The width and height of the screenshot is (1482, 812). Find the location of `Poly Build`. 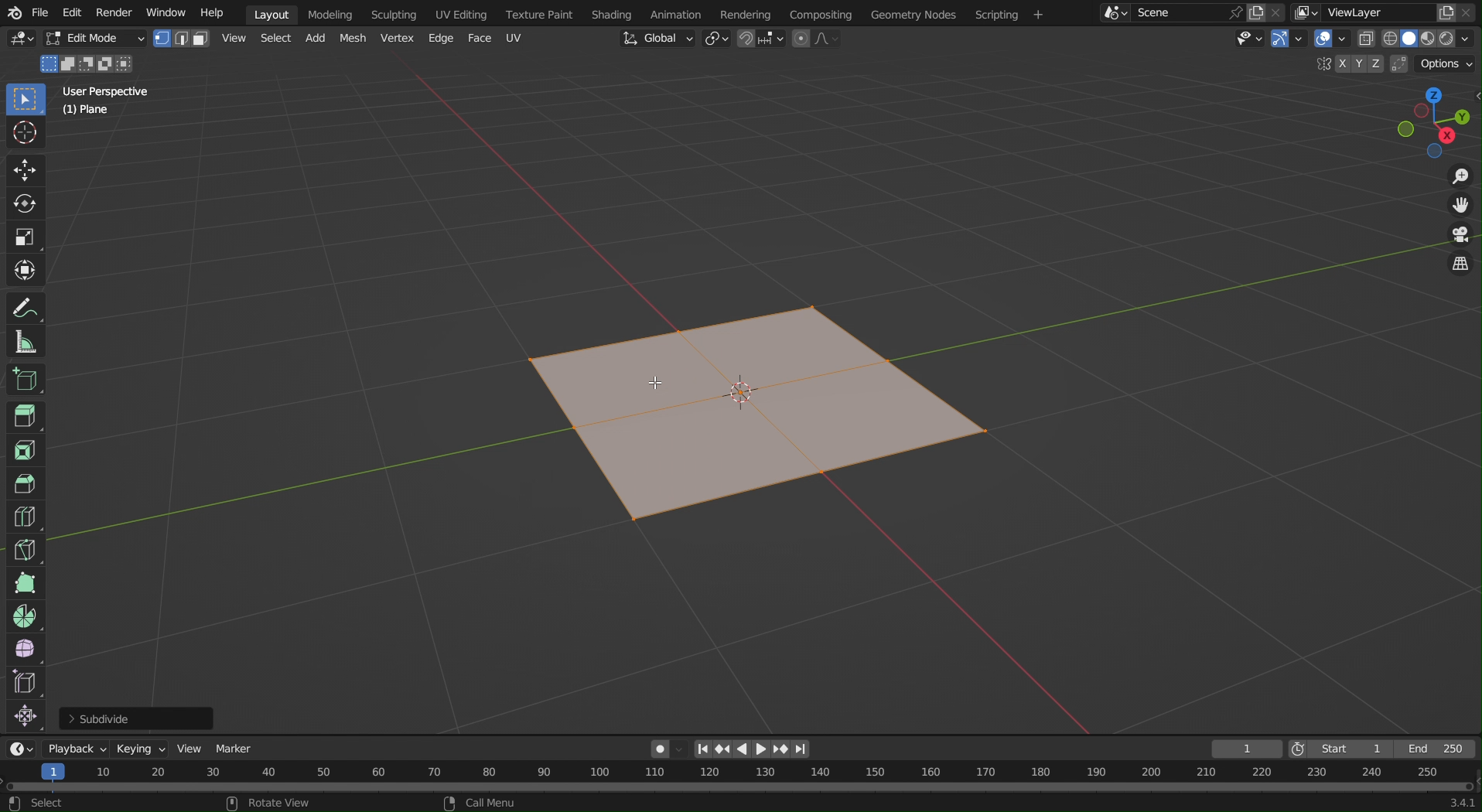

Poly Build is located at coordinates (24, 583).